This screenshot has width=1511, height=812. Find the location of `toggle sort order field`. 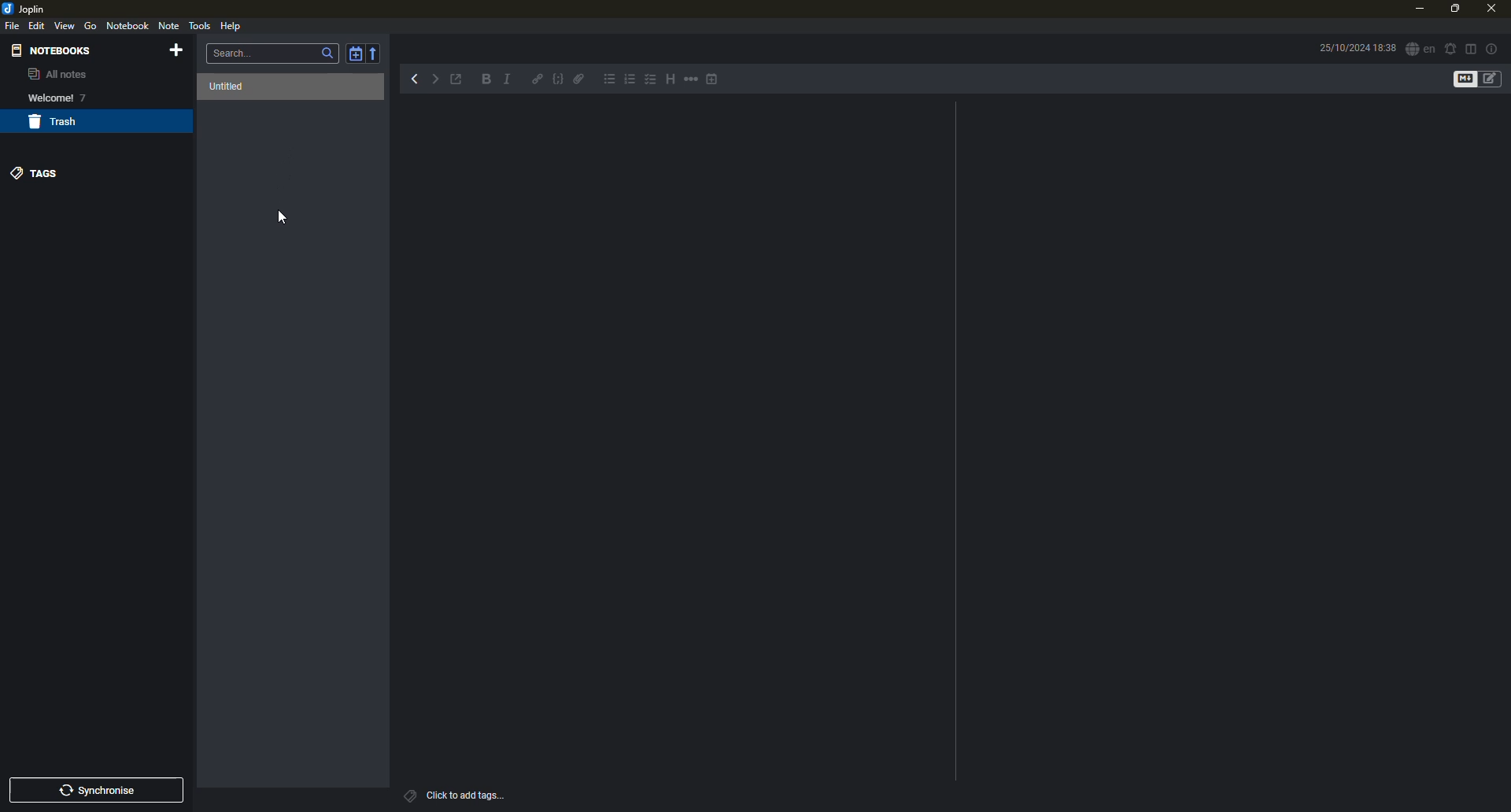

toggle sort order field is located at coordinates (354, 54).